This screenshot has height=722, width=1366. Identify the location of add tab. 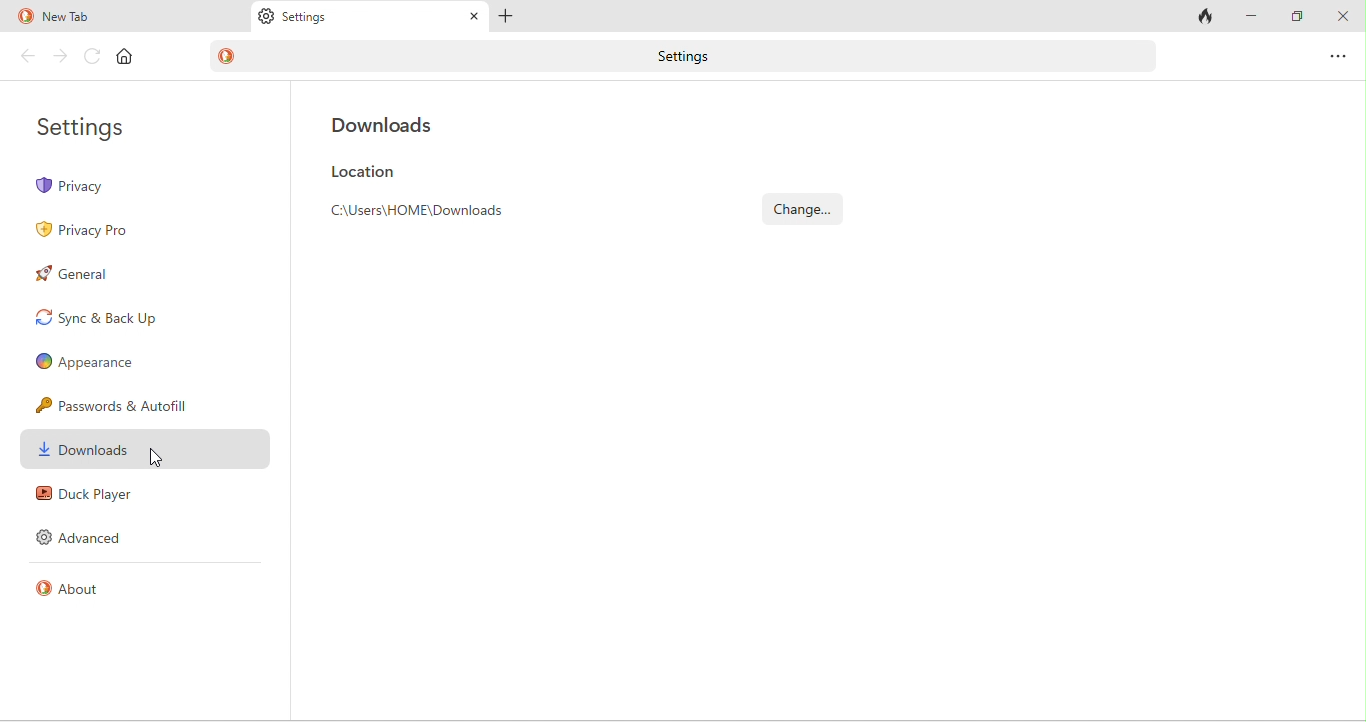
(505, 17).